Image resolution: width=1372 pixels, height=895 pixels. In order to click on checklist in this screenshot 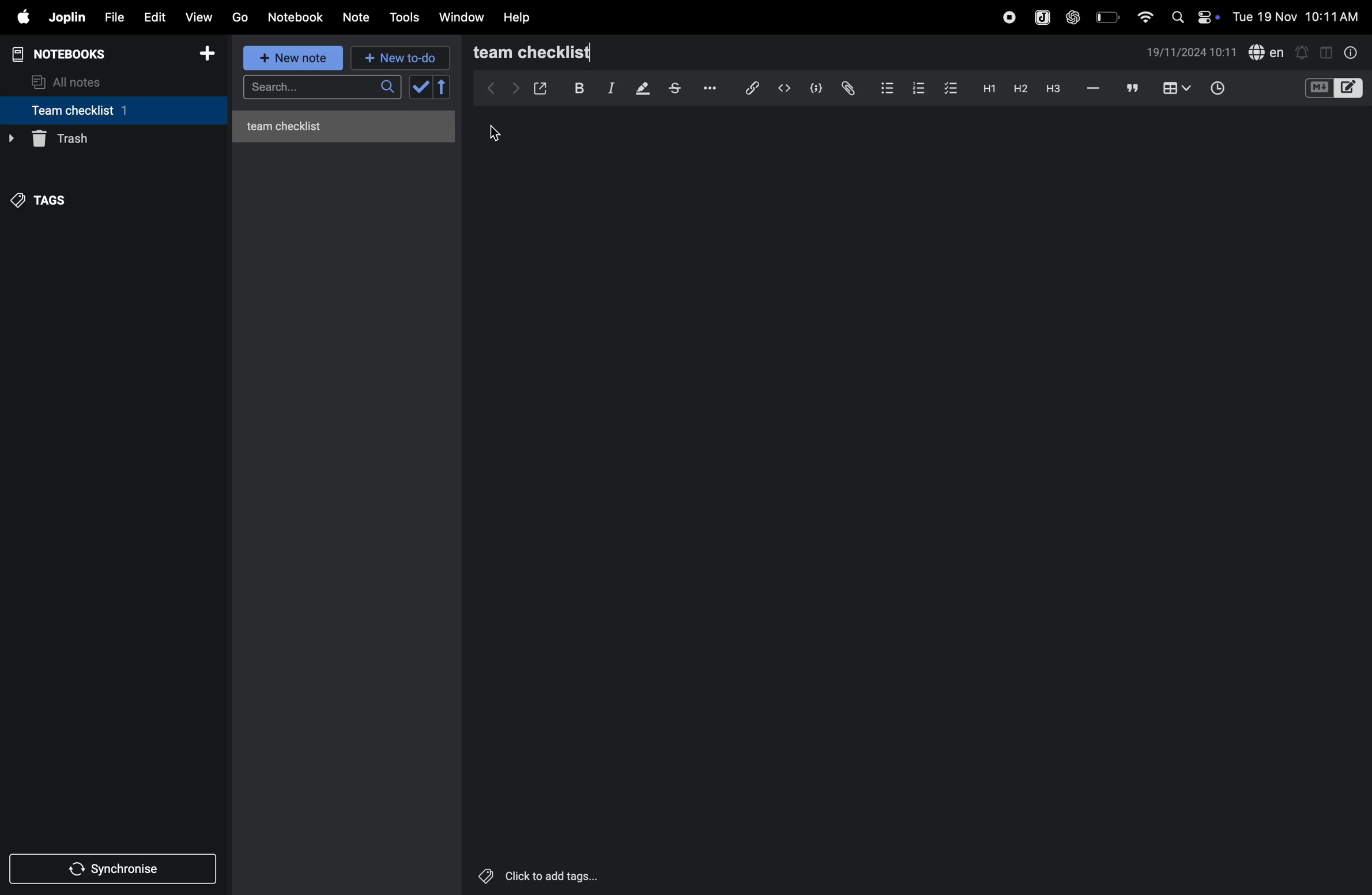, I will do `click(952, 89)`.